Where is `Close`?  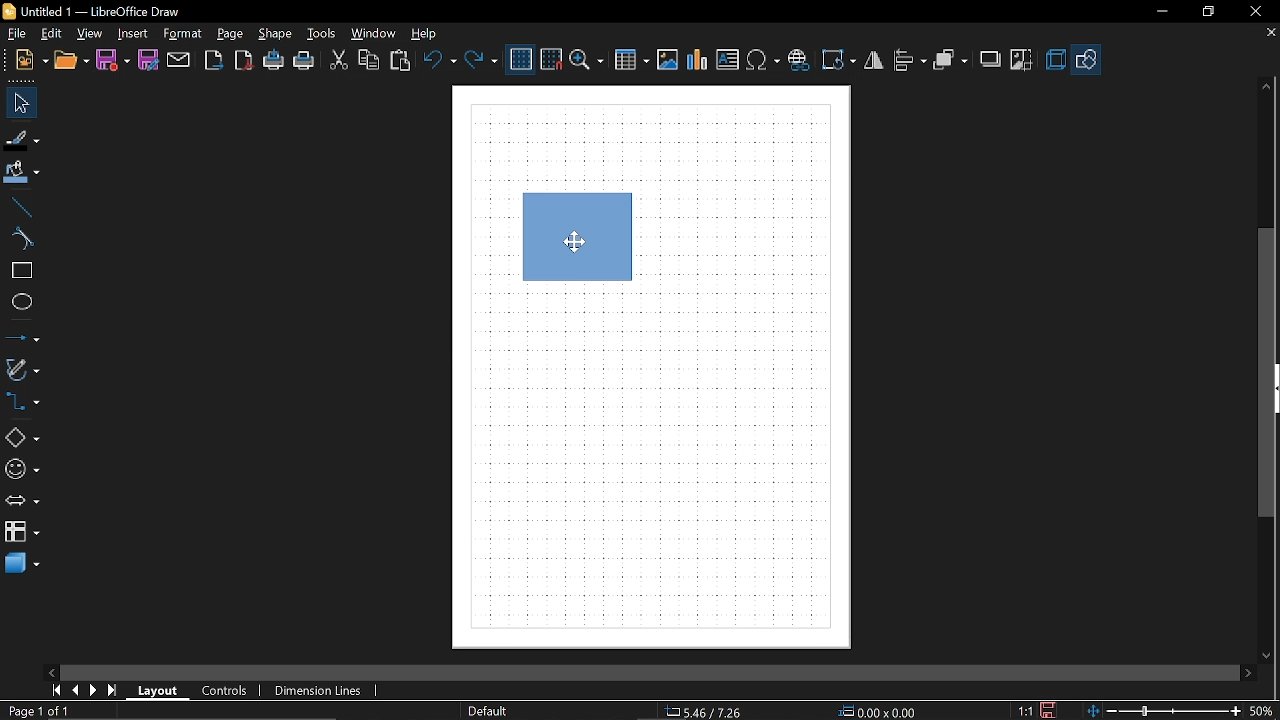 Close is located at coordinates (1254, 12).